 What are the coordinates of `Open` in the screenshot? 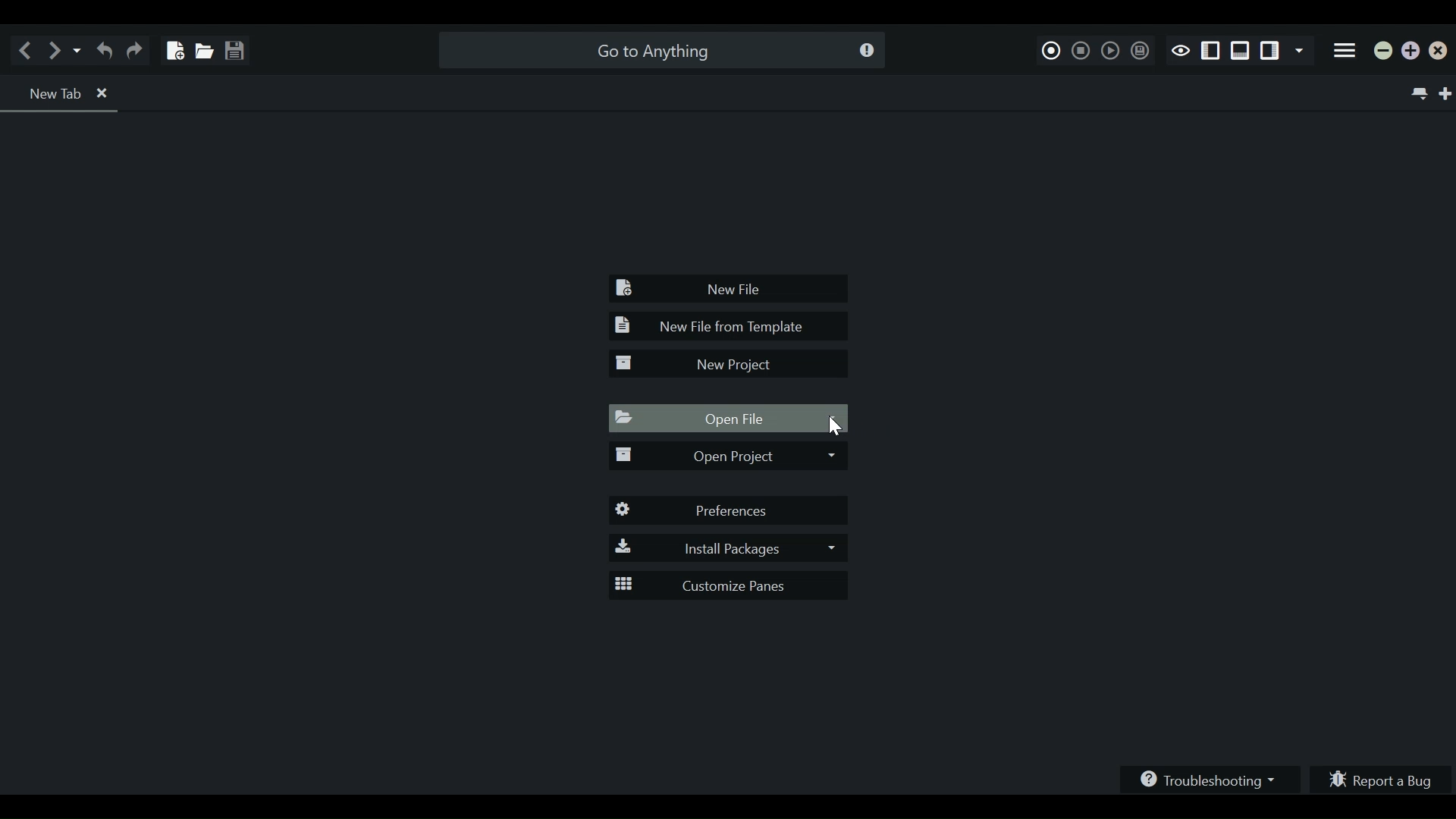 It's located at (202, 47).